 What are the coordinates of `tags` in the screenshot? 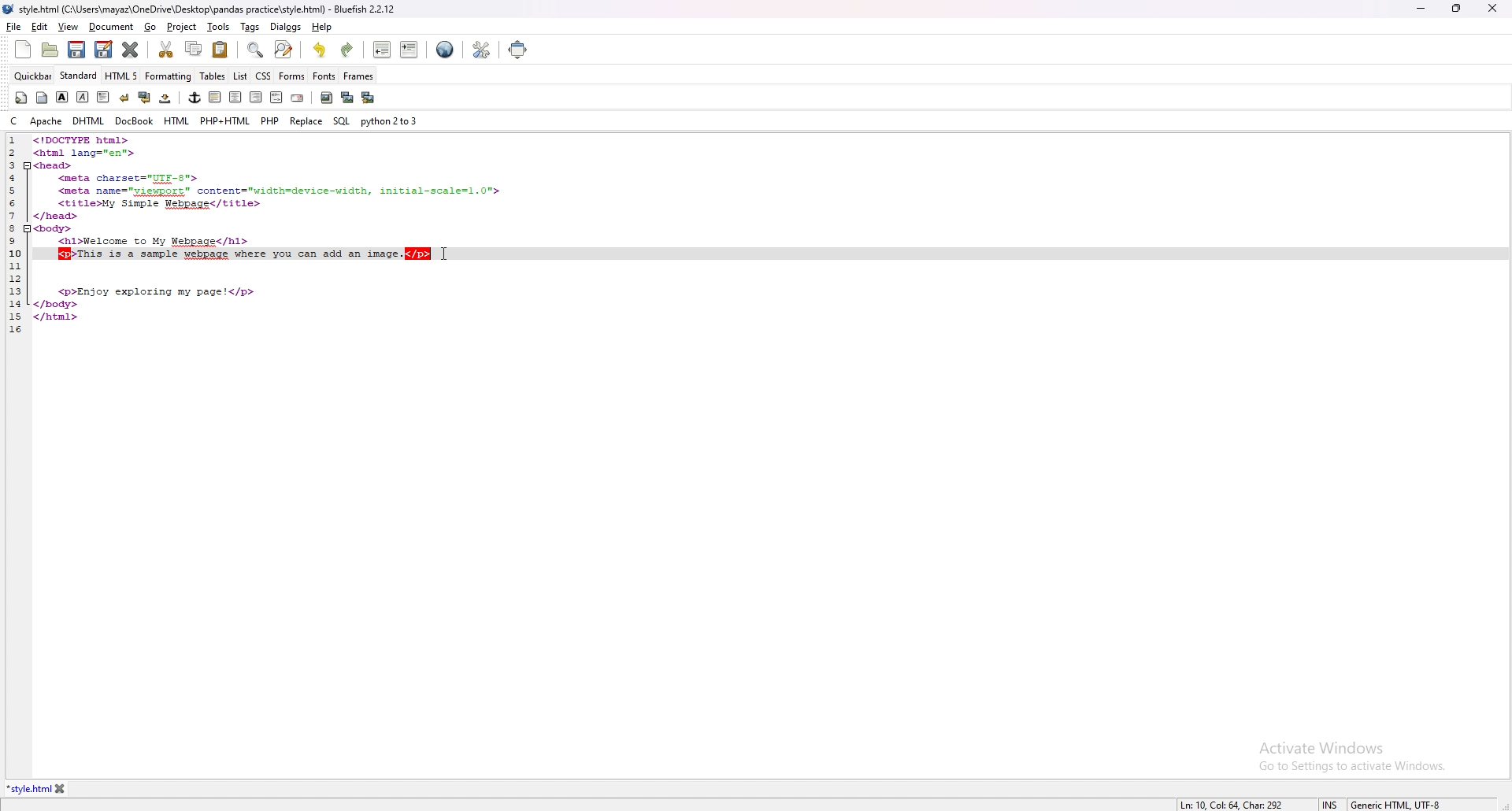 It's located at (249, 27).